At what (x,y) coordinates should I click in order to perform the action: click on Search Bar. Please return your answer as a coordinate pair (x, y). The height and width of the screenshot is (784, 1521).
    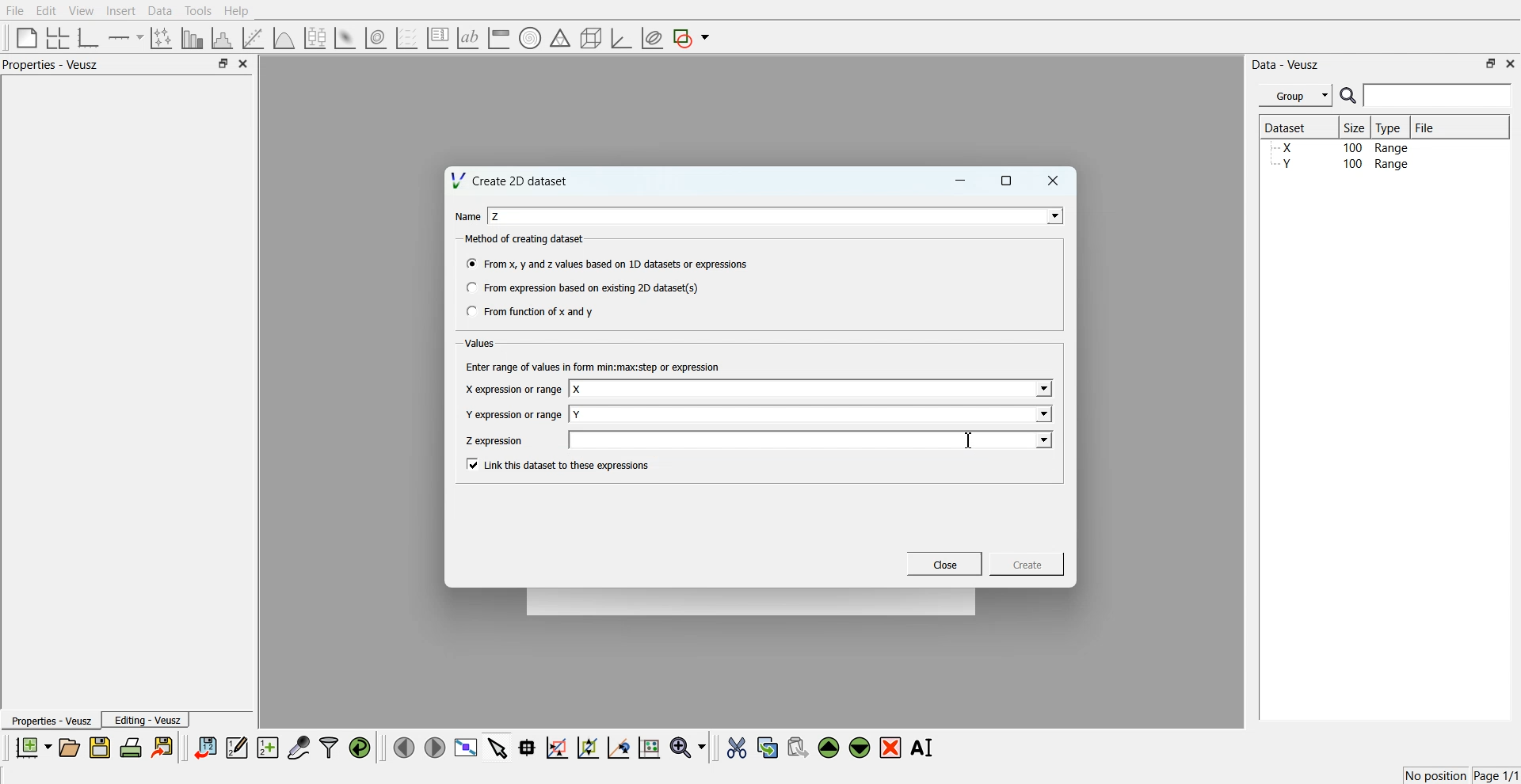
    Looking at the image, I should click on (1427, 95).